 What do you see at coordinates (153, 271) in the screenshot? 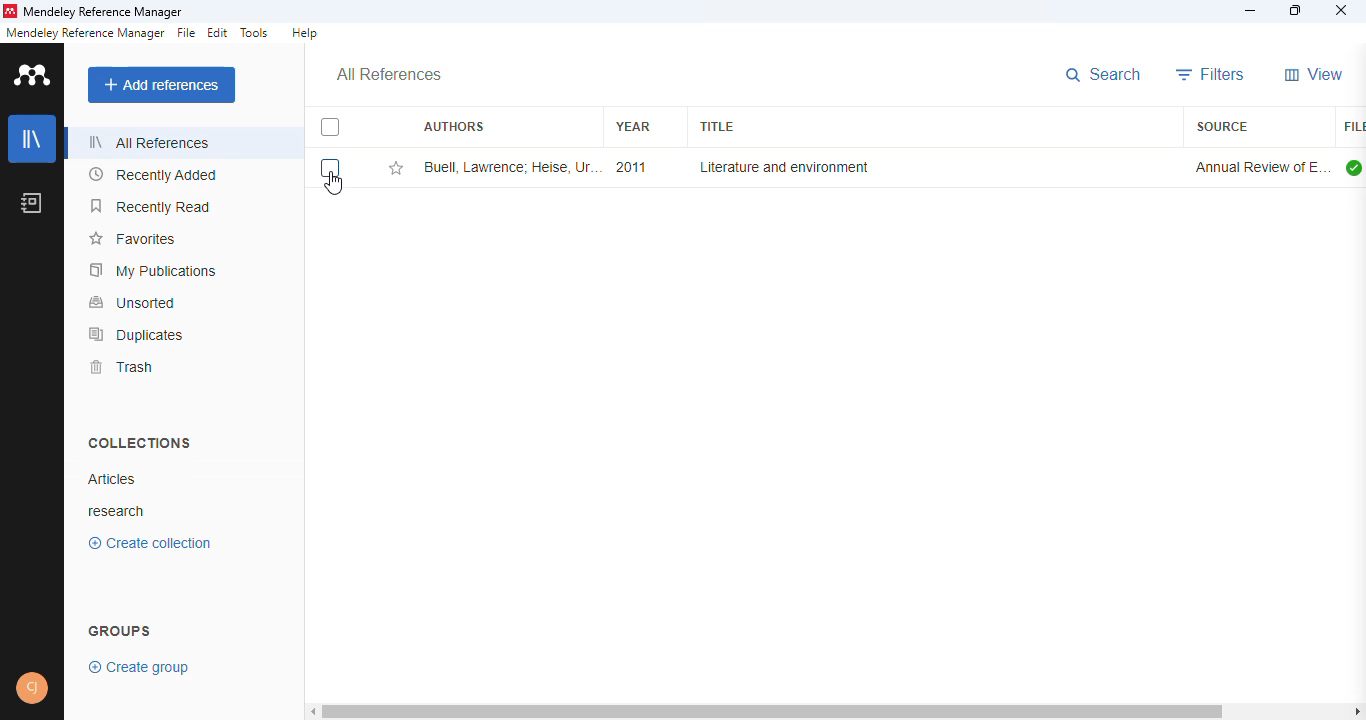
I see `my publications` at bounding box center [153, 271].